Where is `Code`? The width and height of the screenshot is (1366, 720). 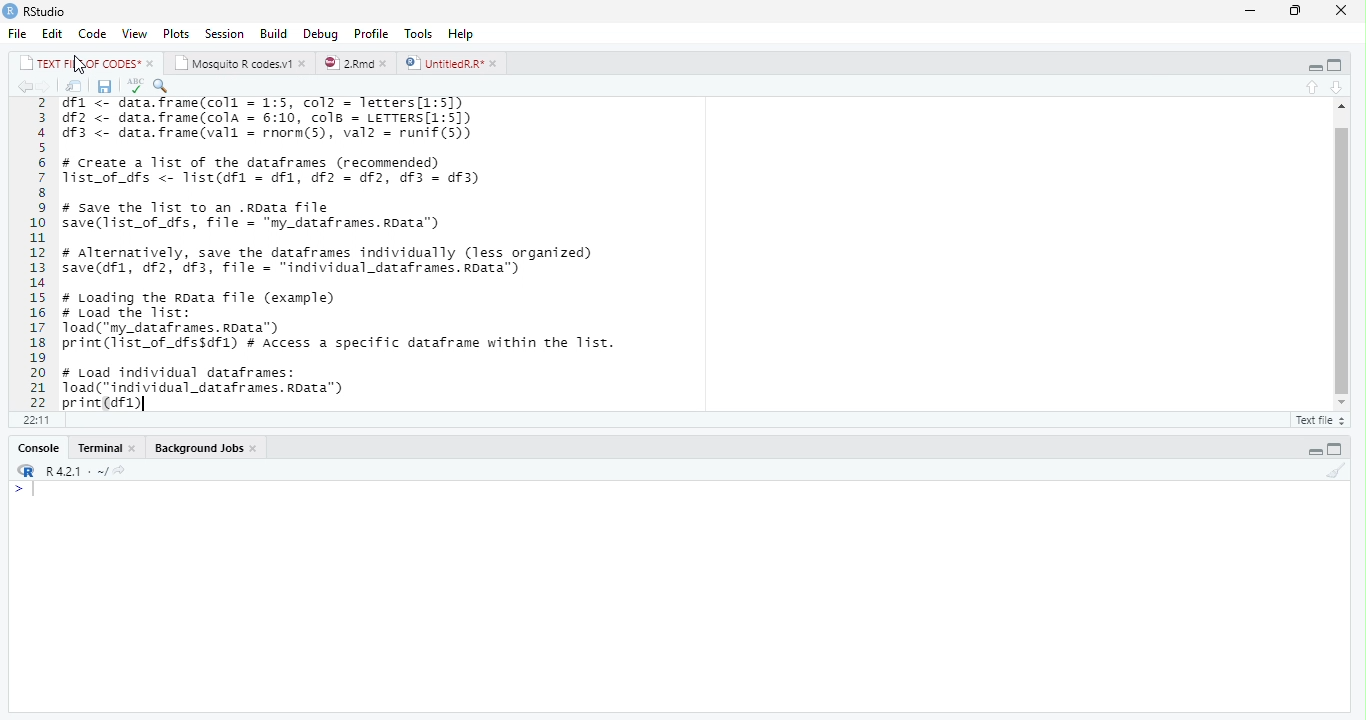
Code is located at coordinates (93, 34).